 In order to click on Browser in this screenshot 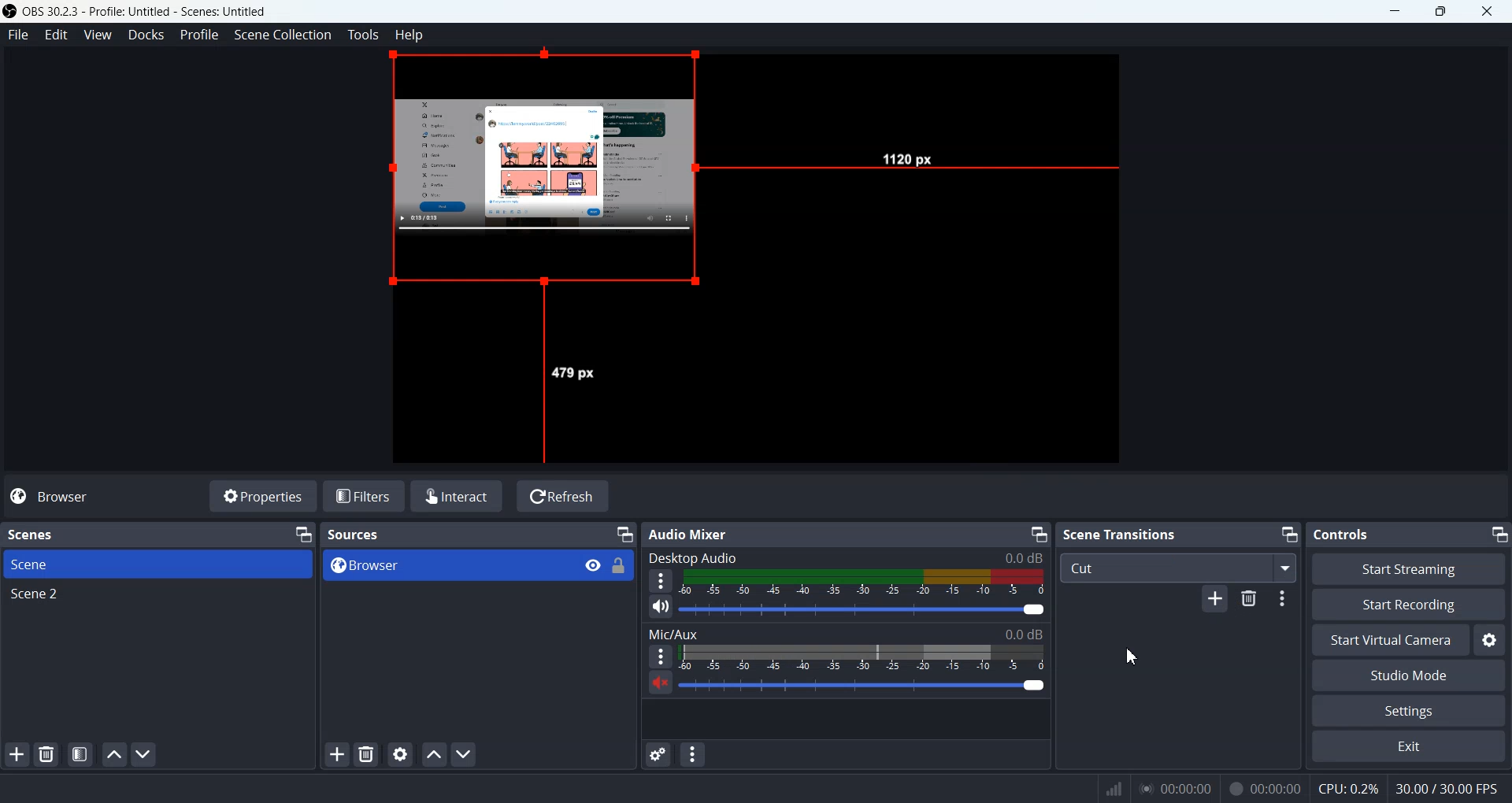, I will do `click(63, 498)`.